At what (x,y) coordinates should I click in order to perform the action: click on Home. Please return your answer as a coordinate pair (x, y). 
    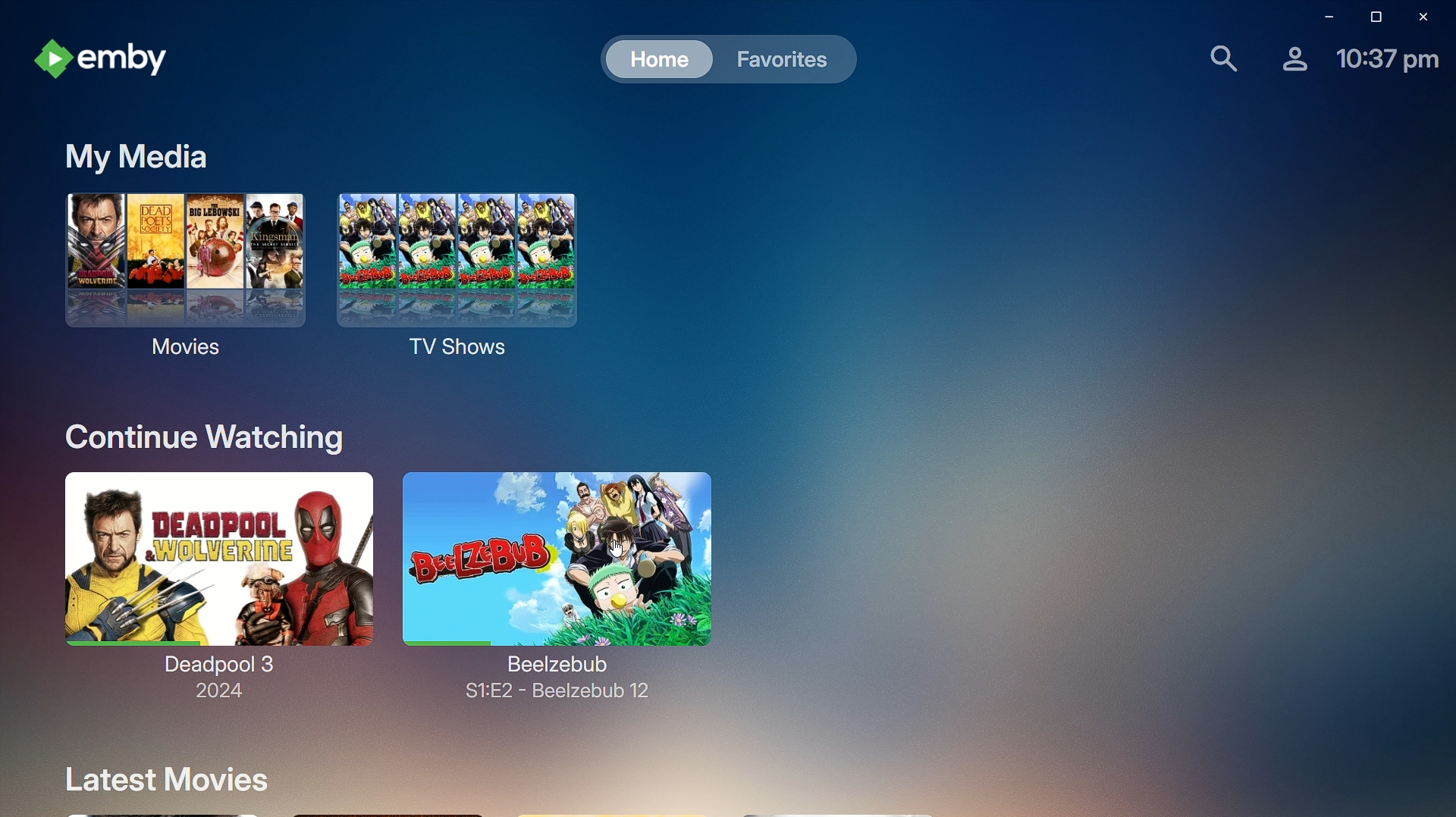
    Looking at the image, I should click on (657, 58).